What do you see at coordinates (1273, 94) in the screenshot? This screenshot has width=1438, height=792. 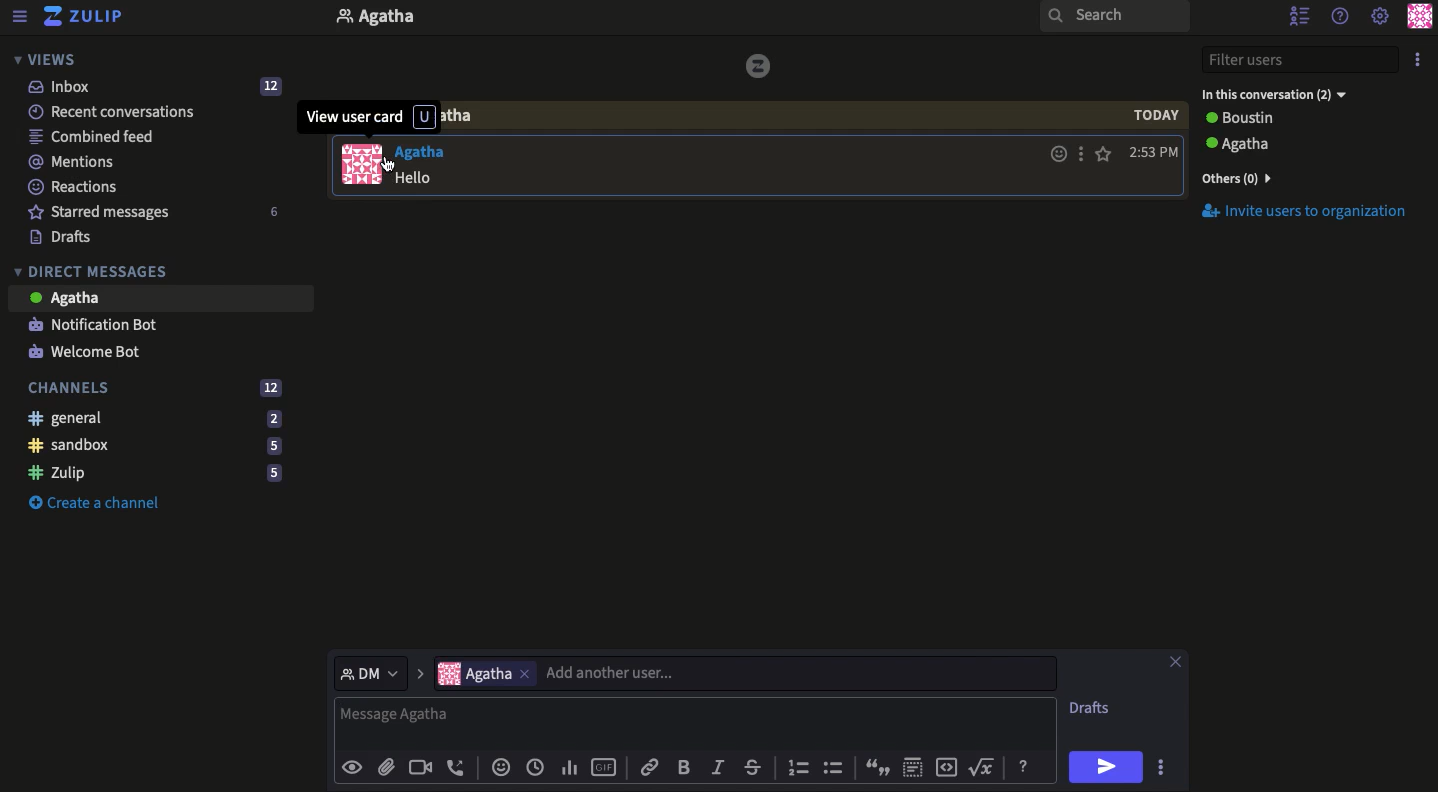 I see `User 2` at bounding box center [1273, 94].